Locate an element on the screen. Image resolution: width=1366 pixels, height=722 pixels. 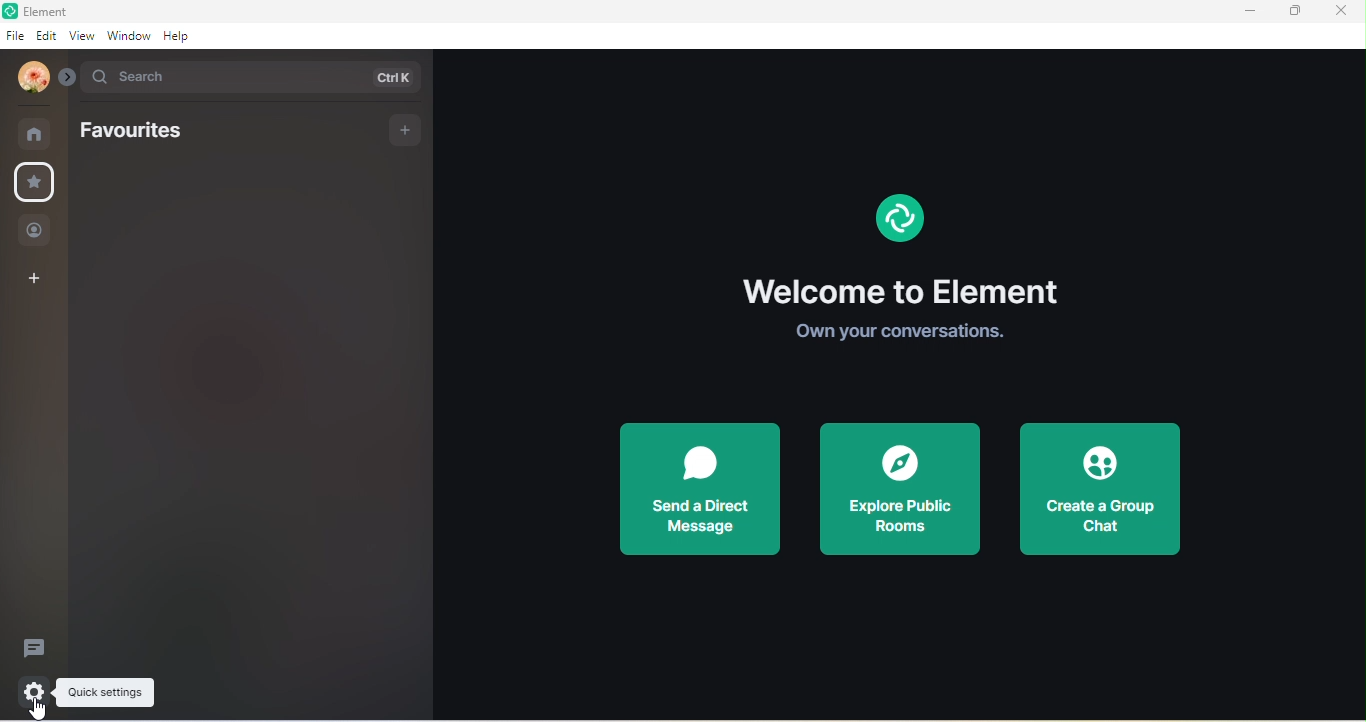
drop down is located at coordinates (65, 76).